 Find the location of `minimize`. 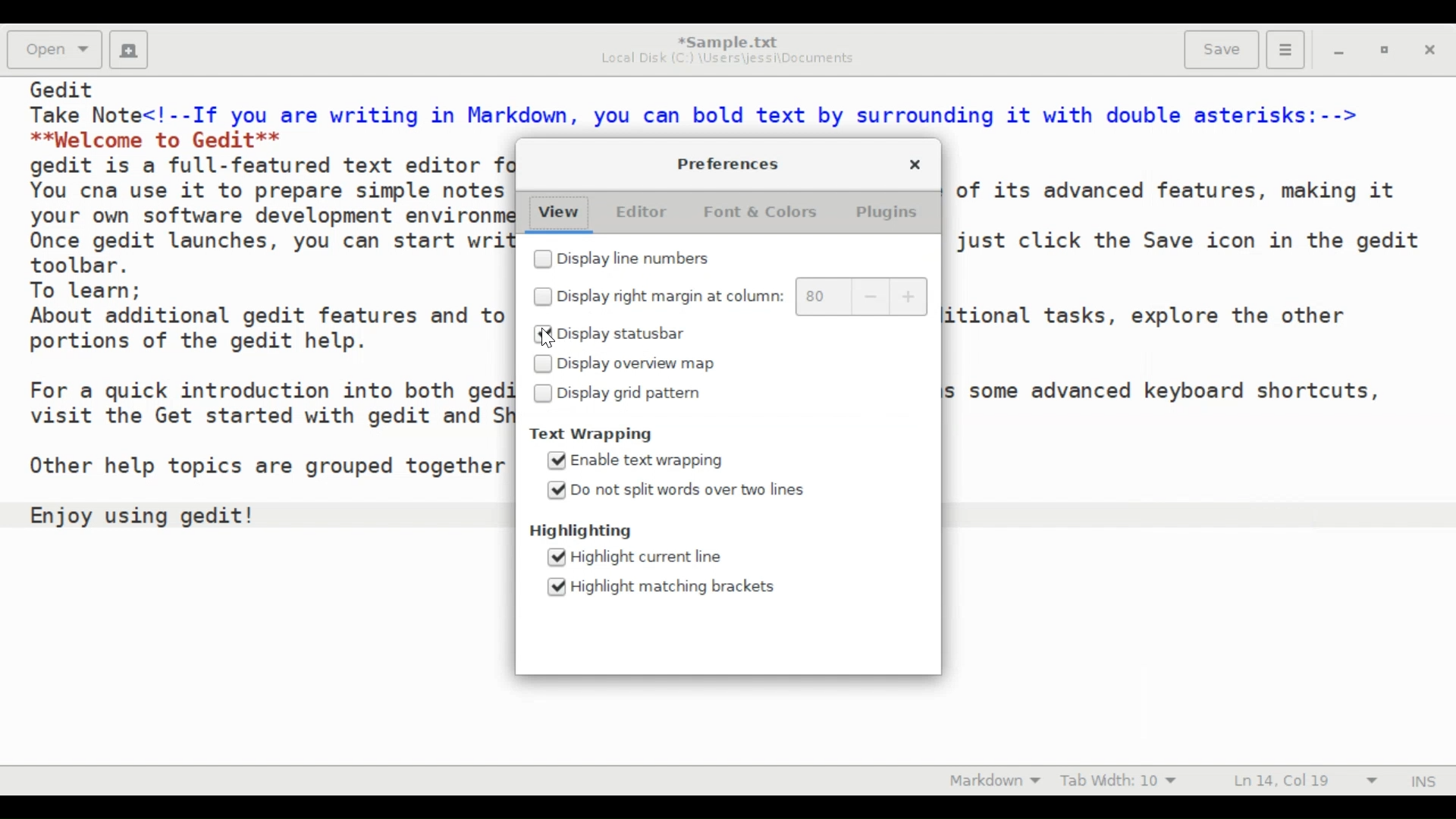

minimize is located at coordinates (1336, 52).